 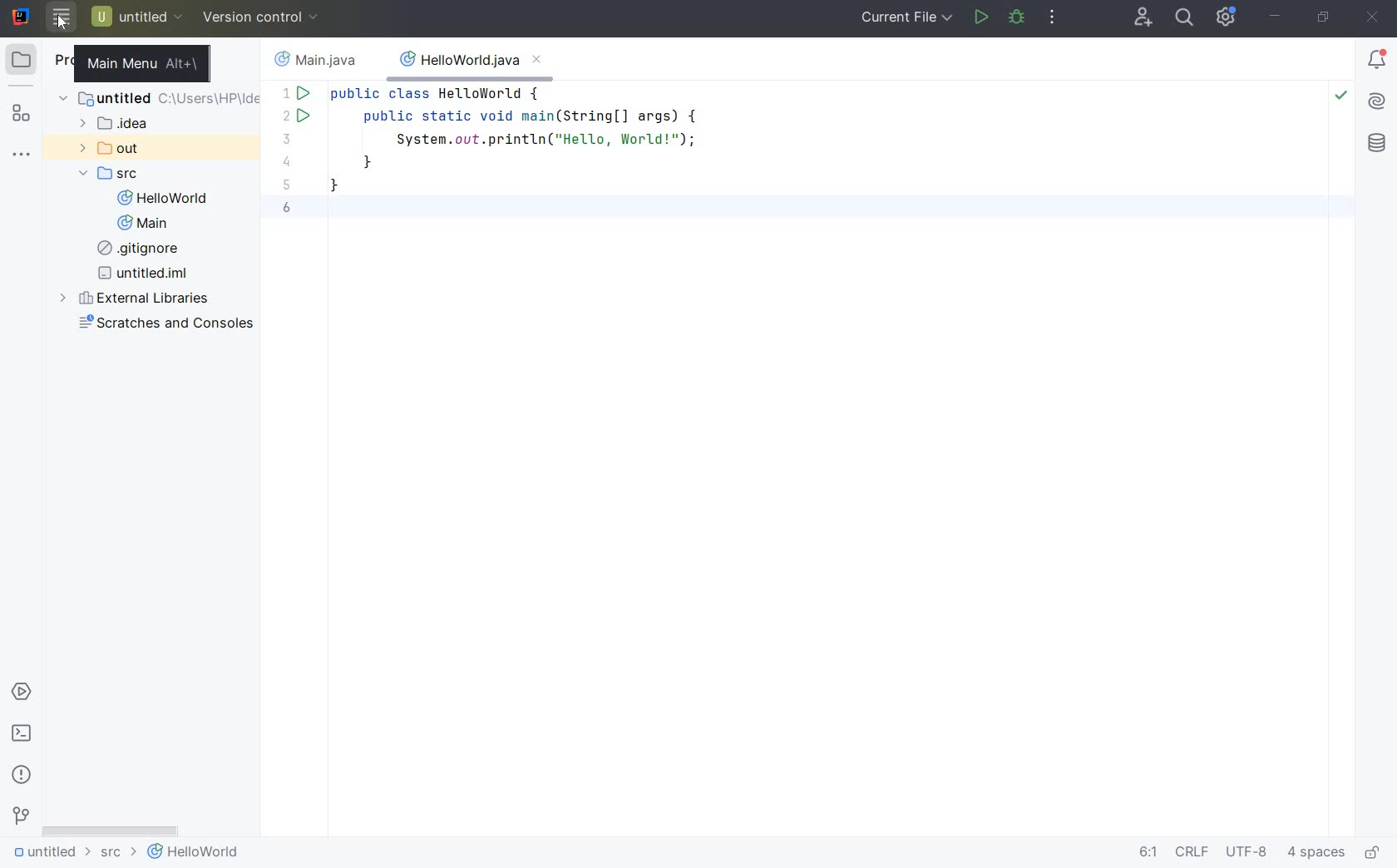 What do you see at coordinates (1248, 853) in the screenshot?
I see `file encoding` at bounding box center [1248, 853].